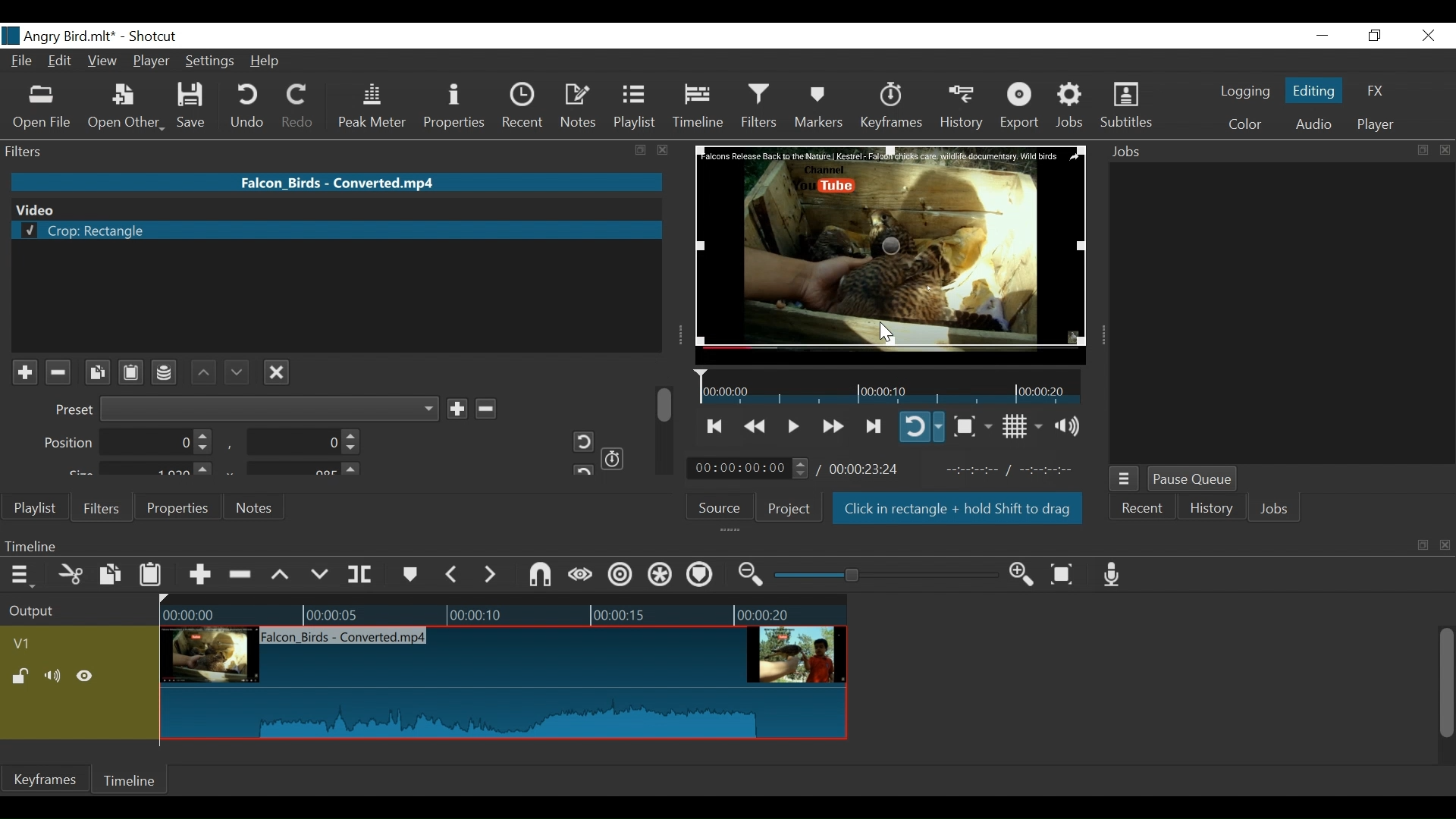 This screenshot has height=819, width=1456. What do you see at coordinates (457, 108) in the screenshot?
I see `Properties` at bounding box center [457, 108].